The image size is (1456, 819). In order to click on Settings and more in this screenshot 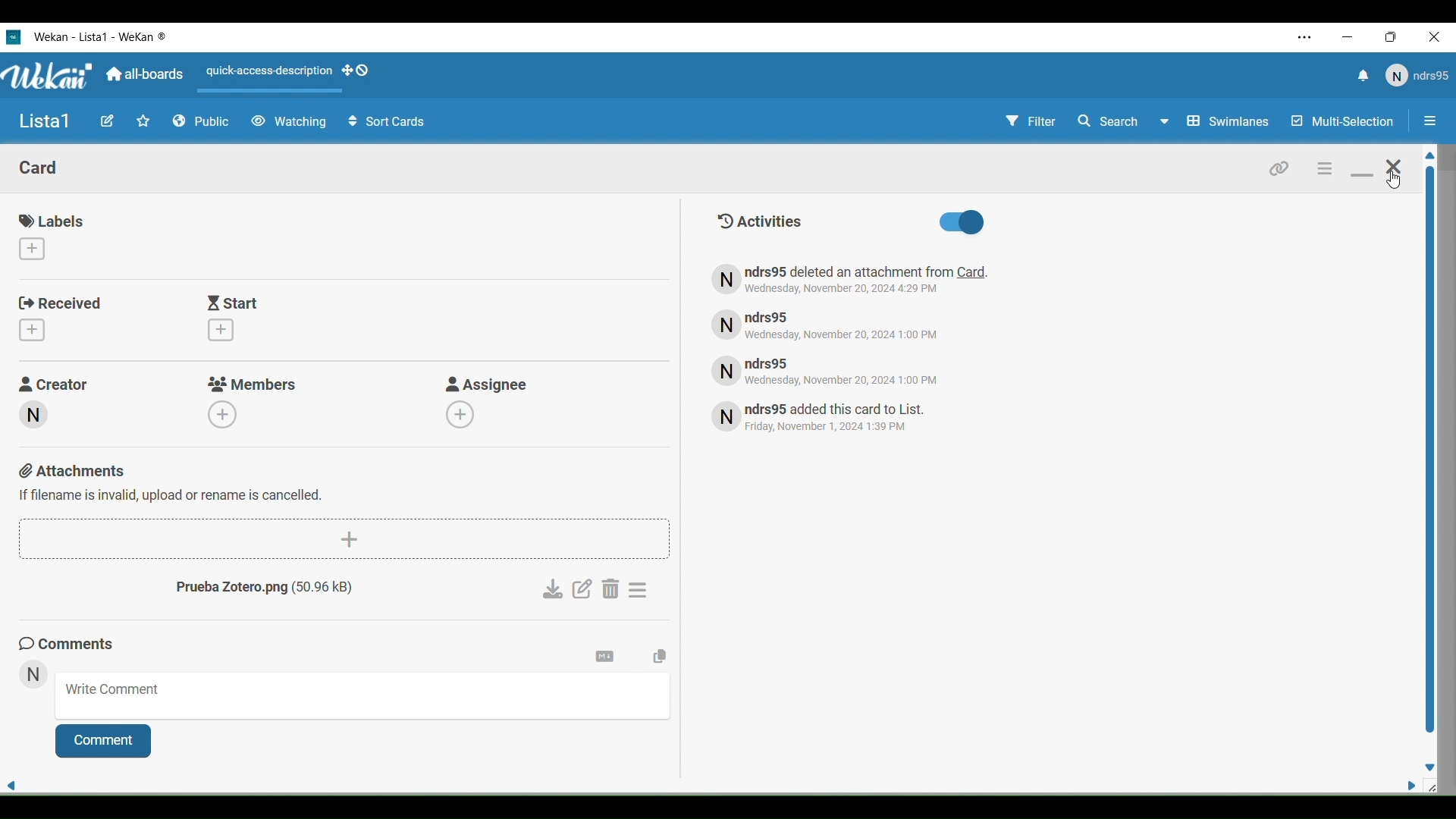, I will do `click(1306, 37)`.